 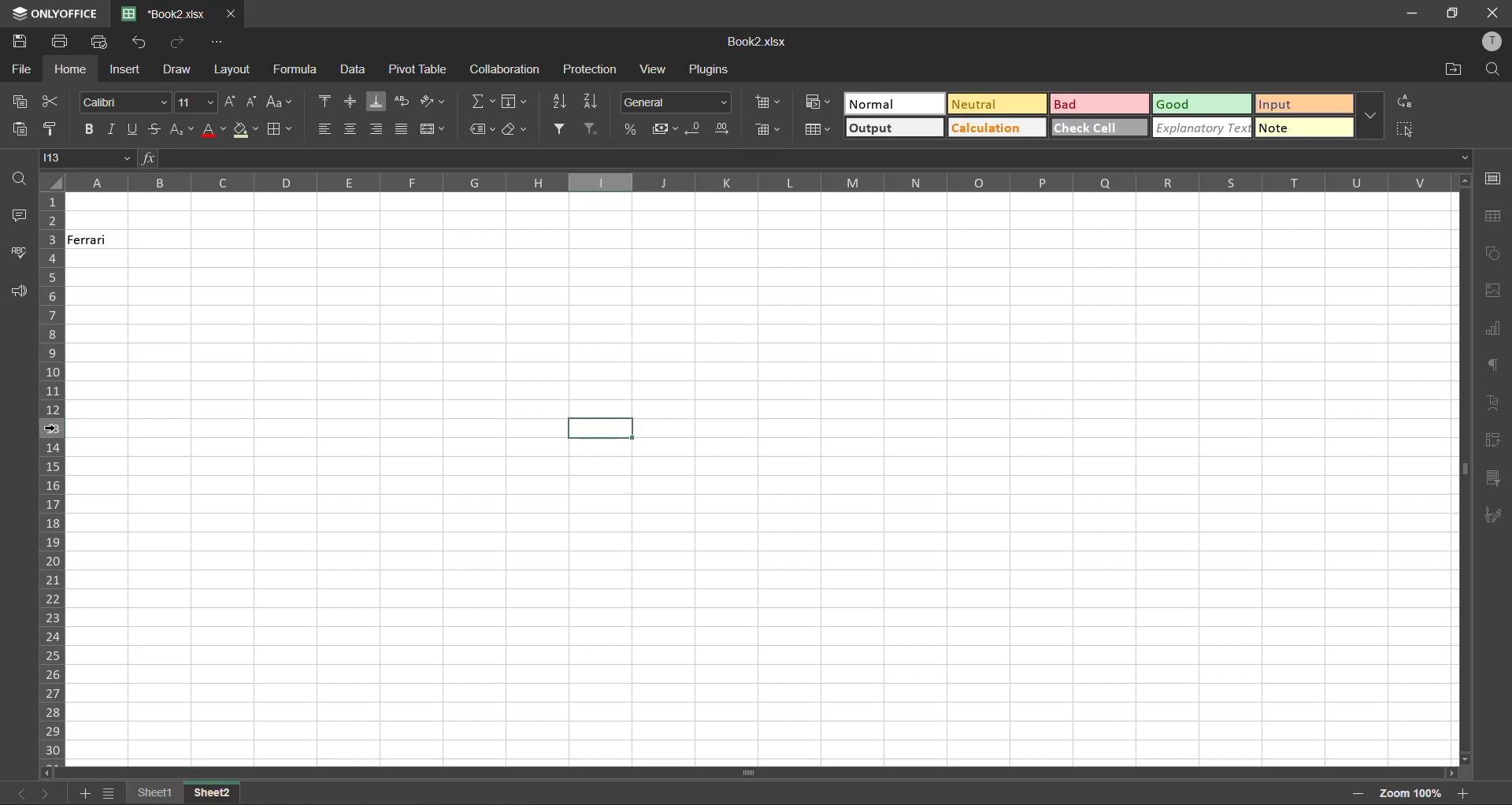 What do you see at coordinates (766, 132) in the screenshot?
I see `delete cells` at bounding box center [766, 132].